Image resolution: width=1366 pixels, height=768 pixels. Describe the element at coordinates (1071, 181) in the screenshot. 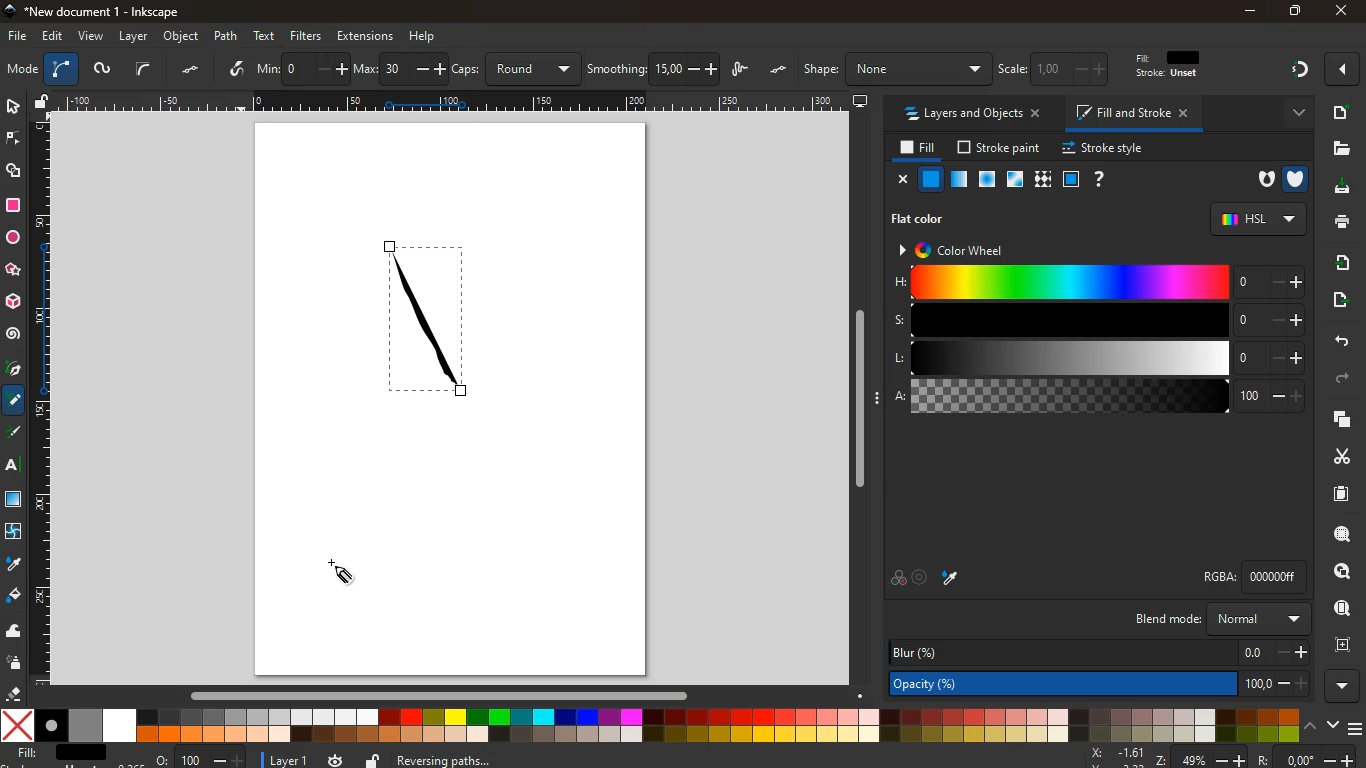

I see `square` at that location.